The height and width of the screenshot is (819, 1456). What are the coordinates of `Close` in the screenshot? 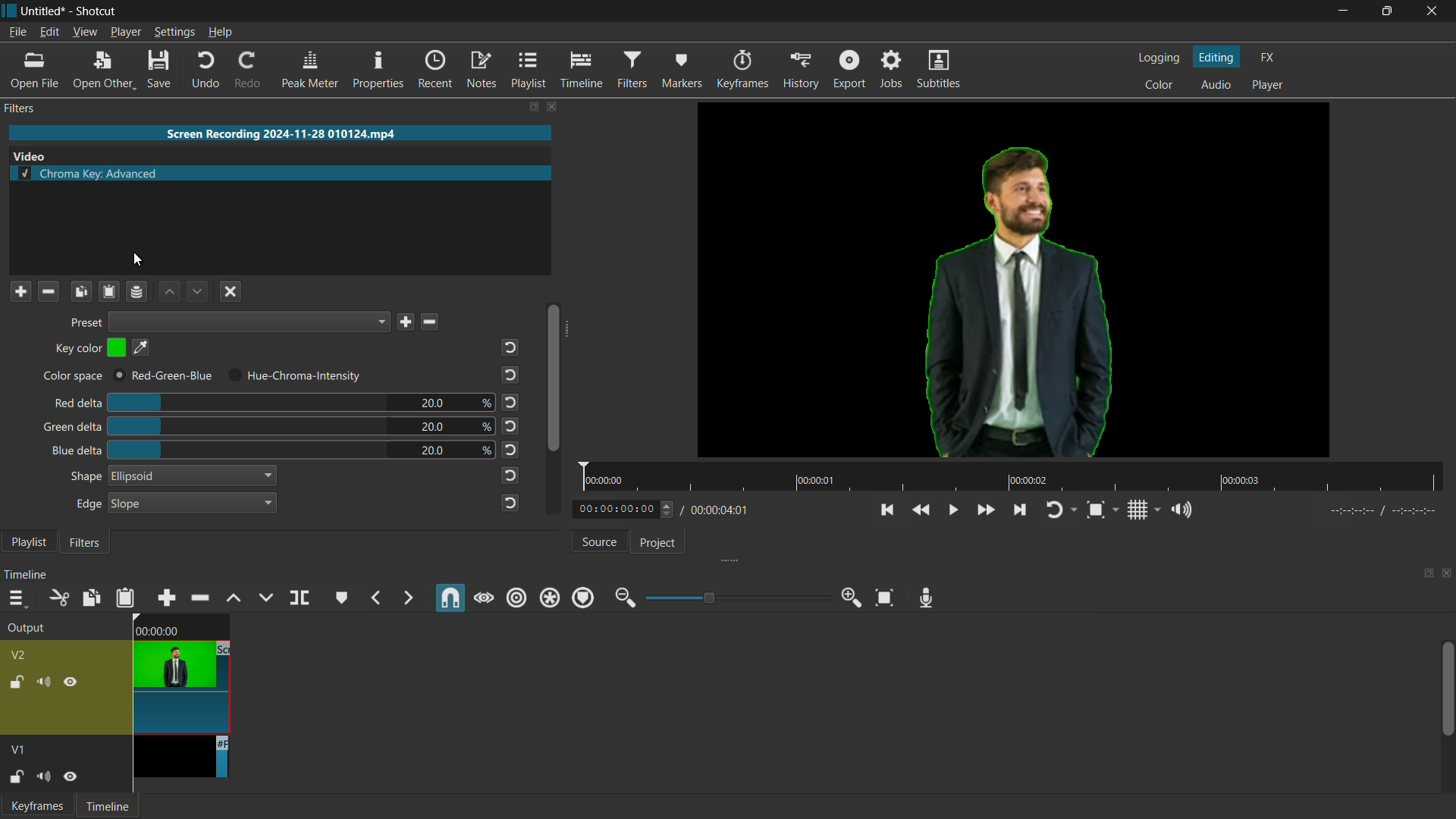 It's located at (232, 291).